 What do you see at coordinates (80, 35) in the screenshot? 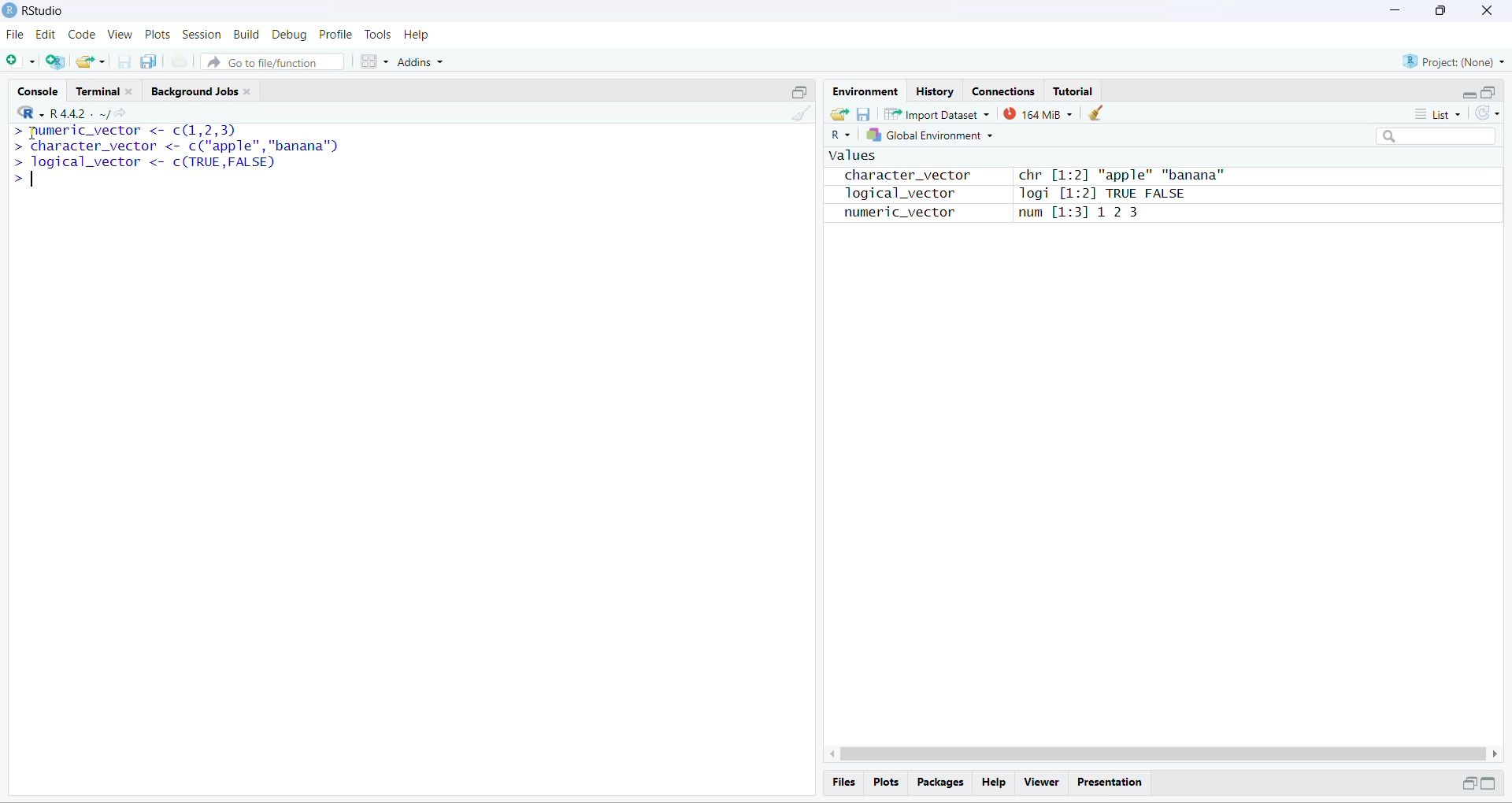
I see `Code` at bounding box center [80, 35].